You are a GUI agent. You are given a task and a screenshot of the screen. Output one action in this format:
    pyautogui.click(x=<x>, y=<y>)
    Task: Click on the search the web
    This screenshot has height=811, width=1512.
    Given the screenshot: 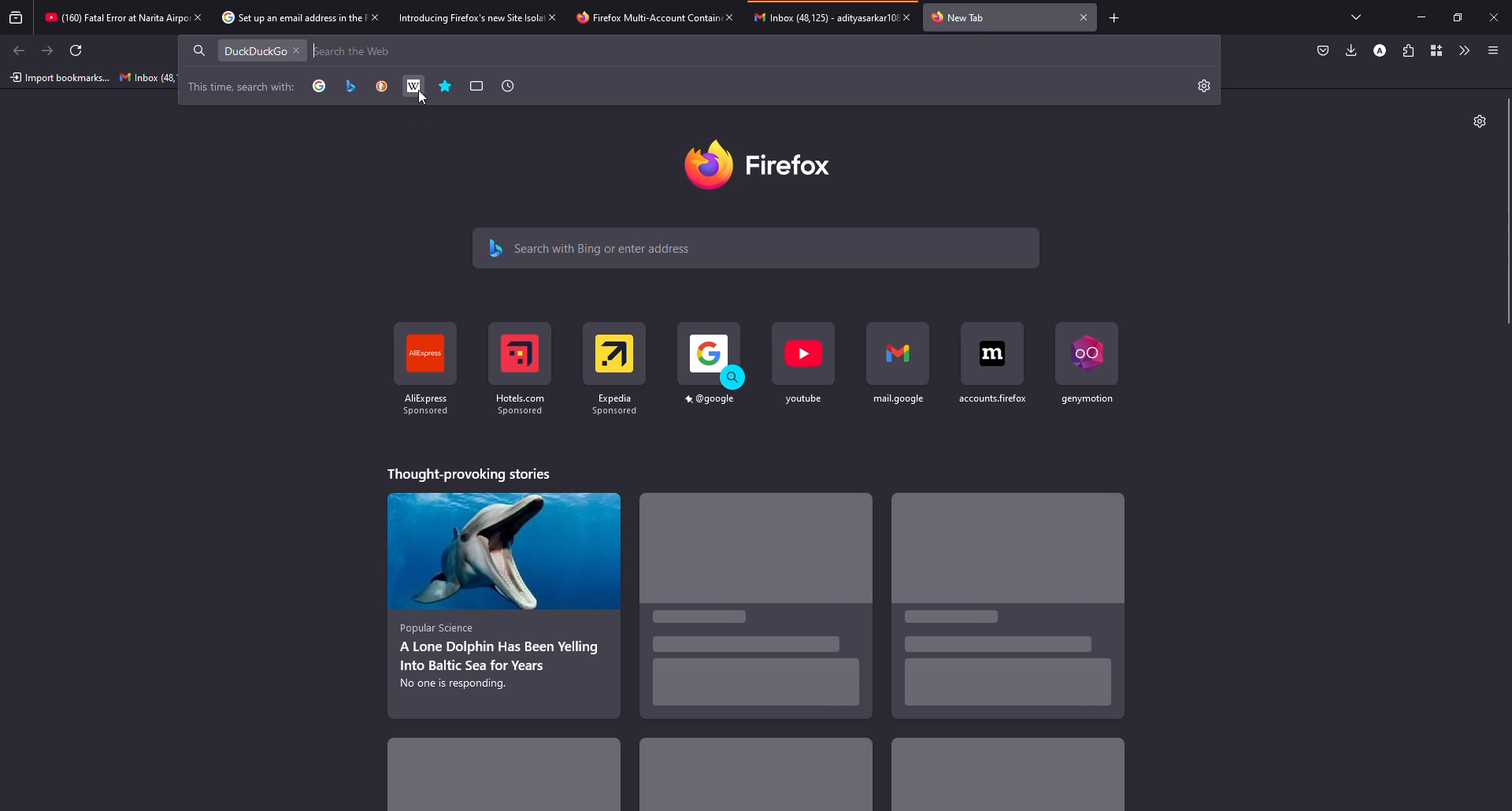 What is the action you would take?
    pyautogui.click(x=358, y=51)
    